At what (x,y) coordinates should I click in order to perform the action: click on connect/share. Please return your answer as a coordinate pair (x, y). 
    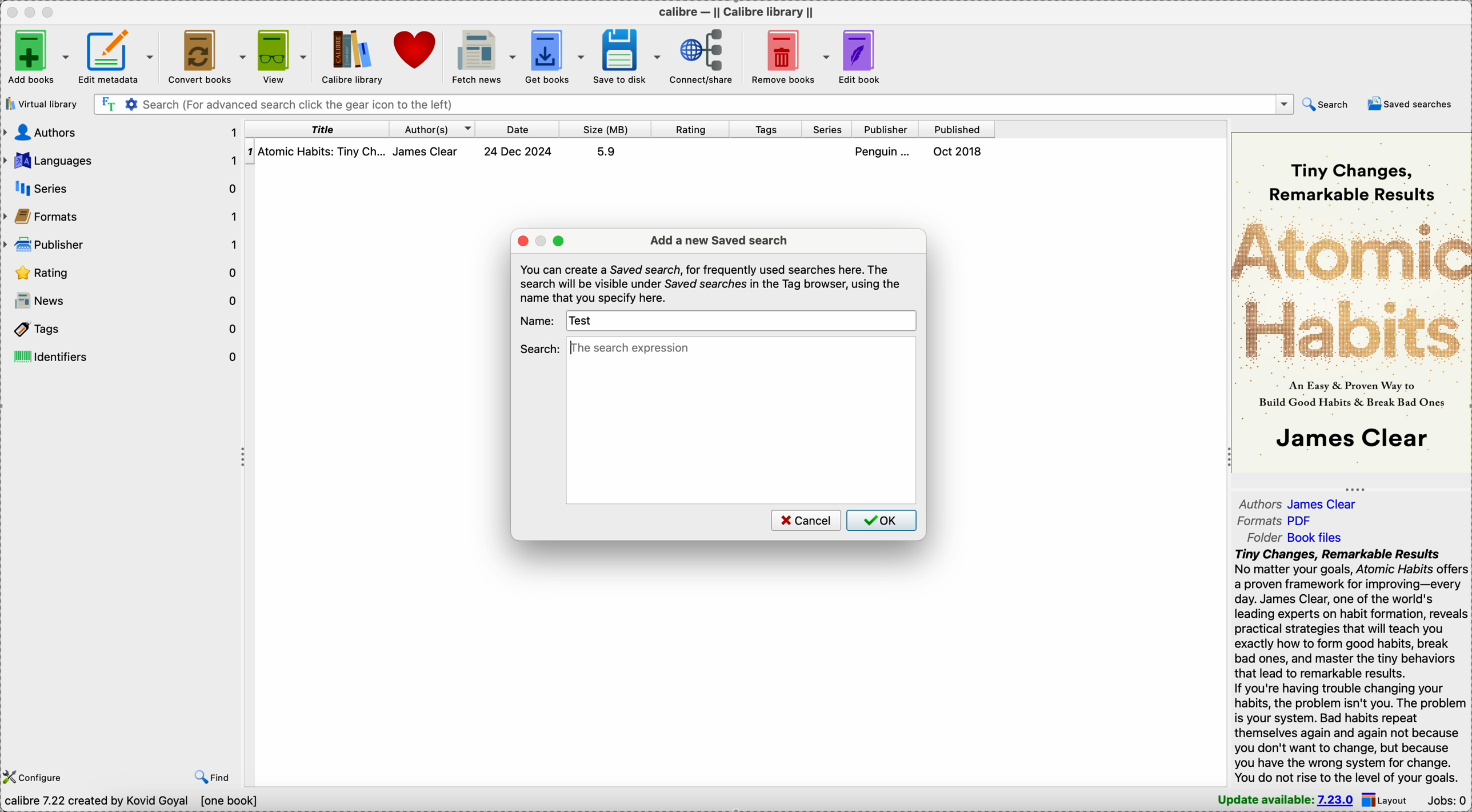
    Looking at the image, I should click on (706, 55).